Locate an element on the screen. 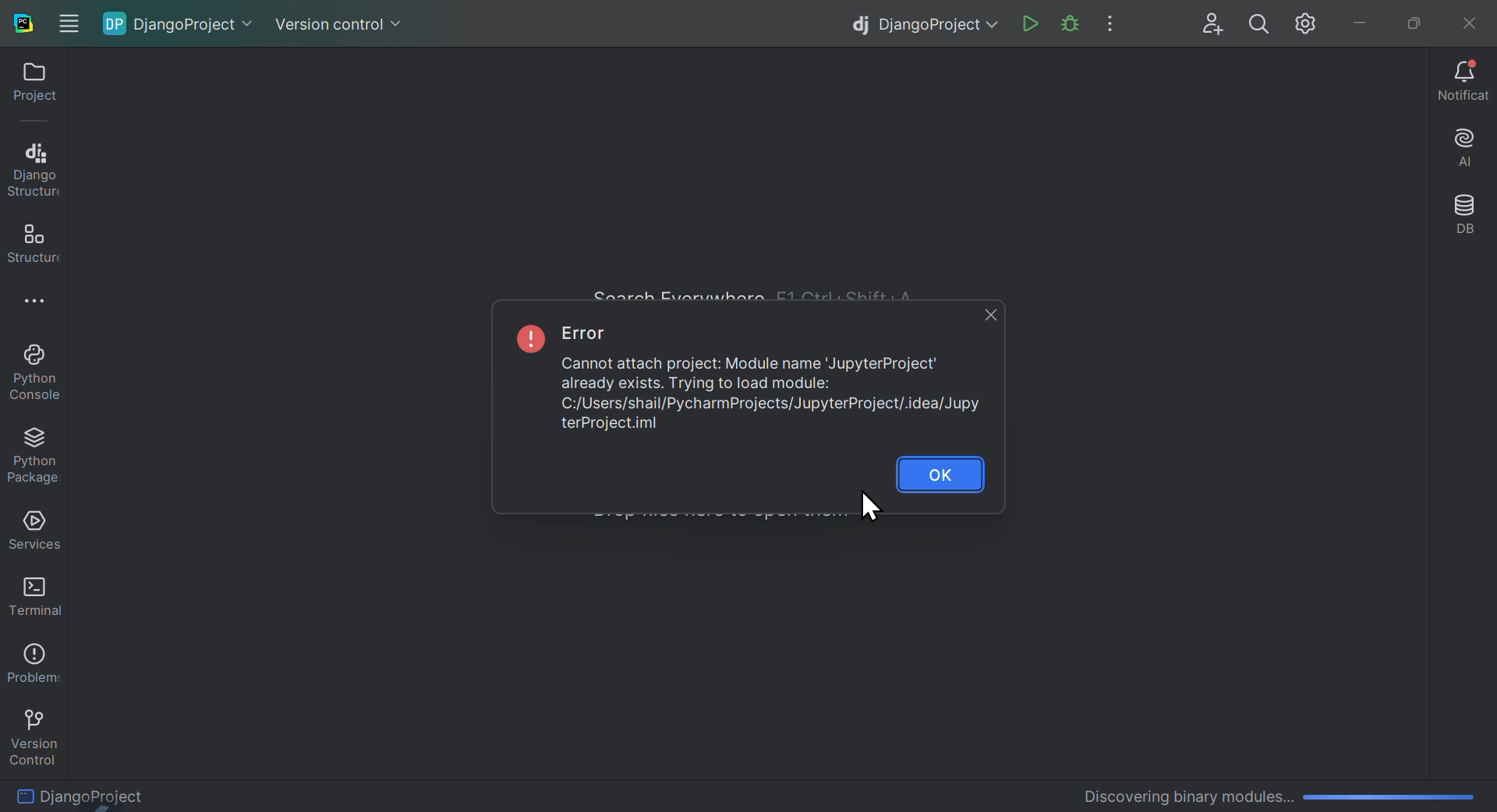 The height and width of the screenshot is (812, 1497). close is located at coordinates (985, 314).